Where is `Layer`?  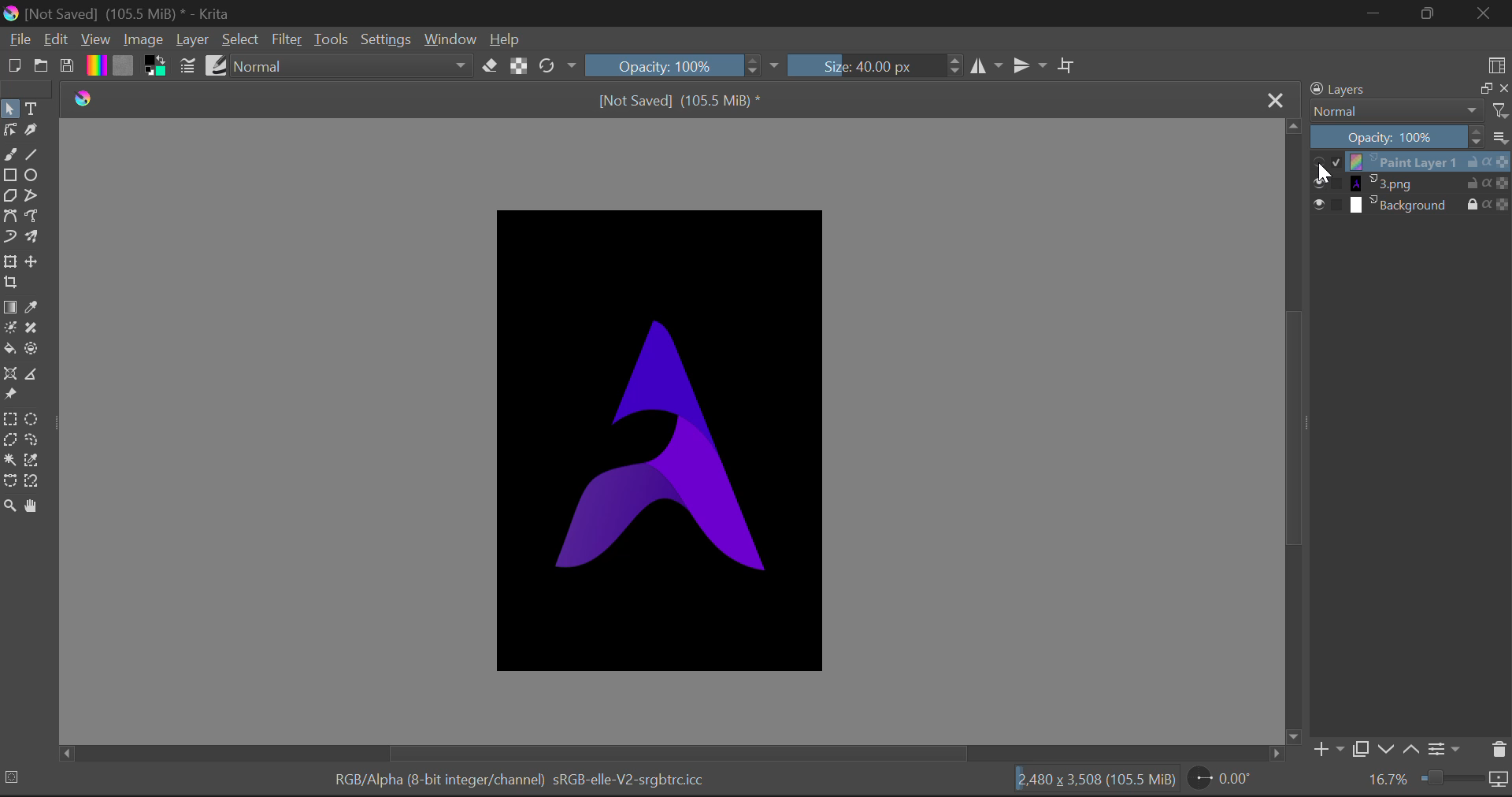
Layer is located at coordinates (192, 43).